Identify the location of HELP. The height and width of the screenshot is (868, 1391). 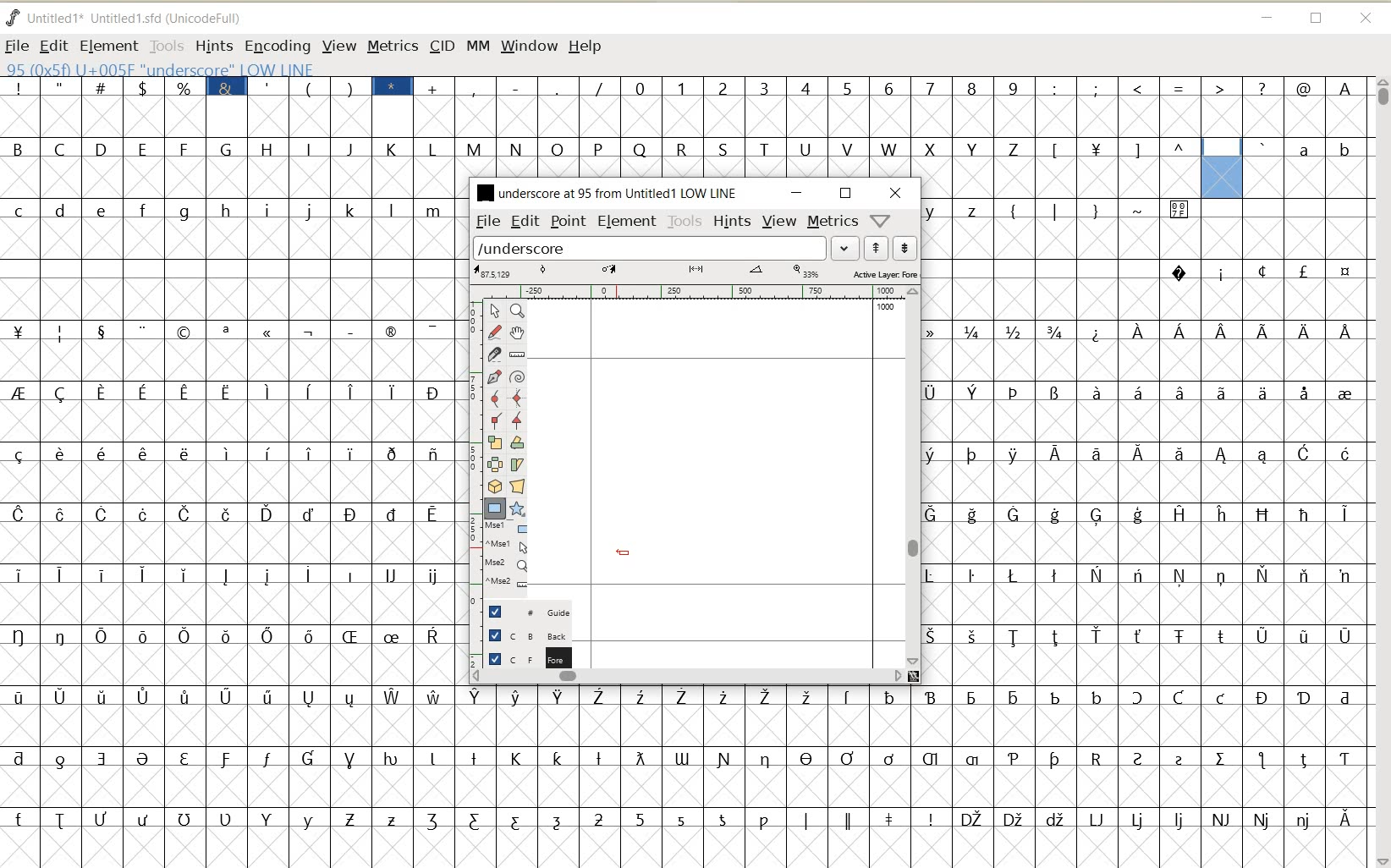
(587, 47).